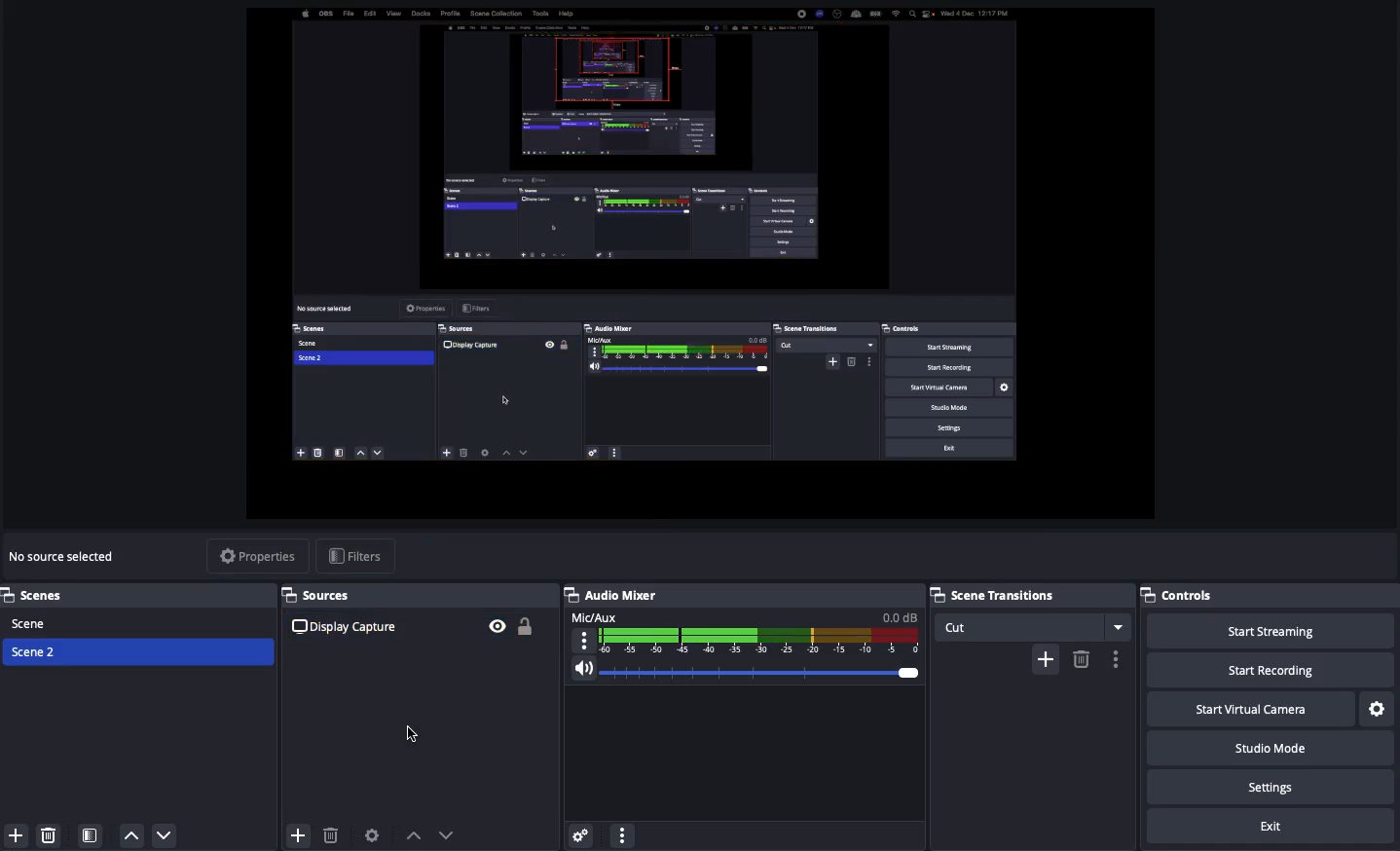  What do you see at coordinates (257, 555) in the screenshot?
I see `Properties` at bounding box center [257, 555].